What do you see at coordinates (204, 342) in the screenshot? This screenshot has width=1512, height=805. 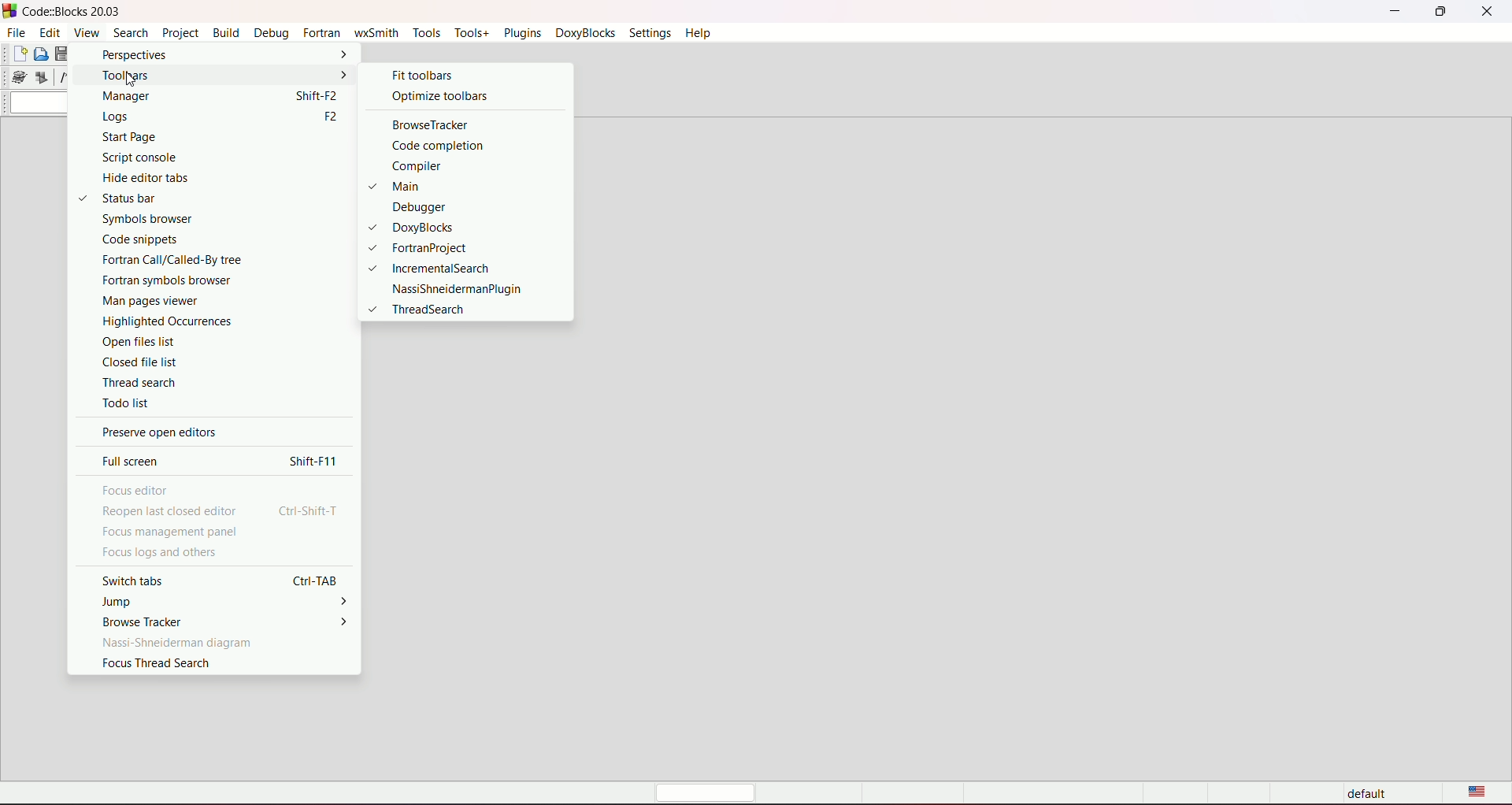 I see `open files list` at bounding box center [204, 342].